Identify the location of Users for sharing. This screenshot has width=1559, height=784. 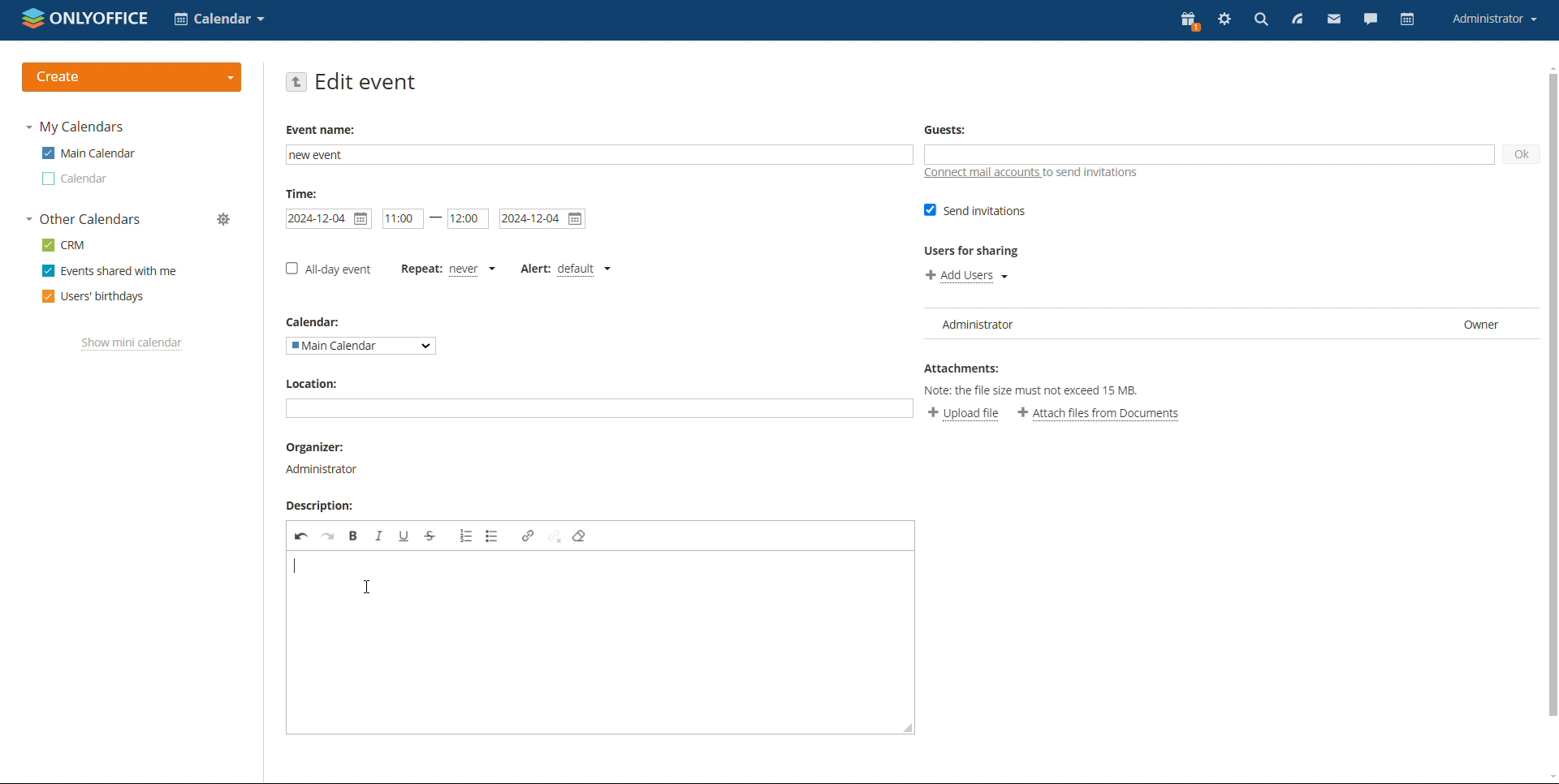
(972, 252).